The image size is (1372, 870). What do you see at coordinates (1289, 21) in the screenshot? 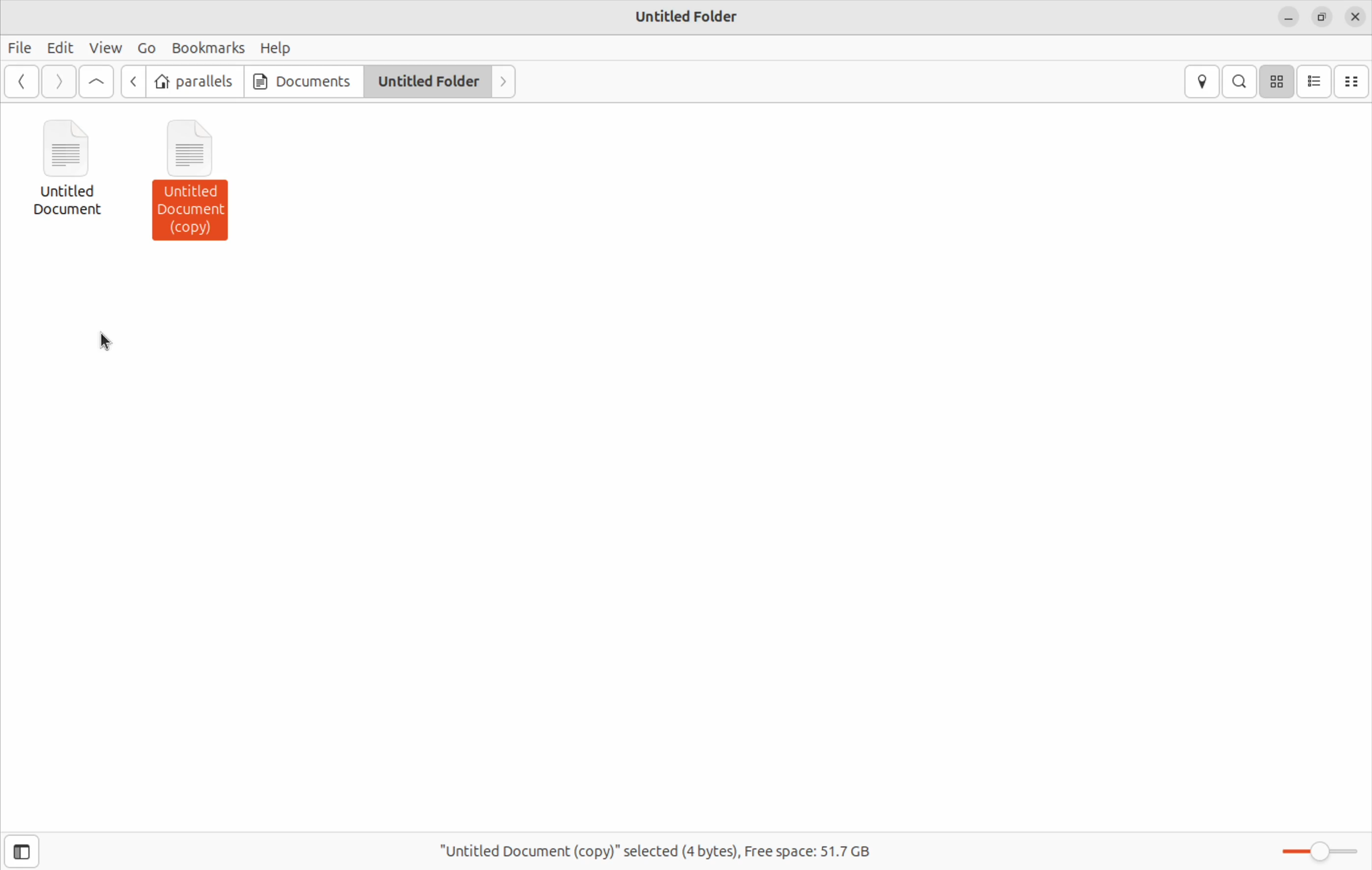
I see `minimize` at bounding box center [1289, 21].